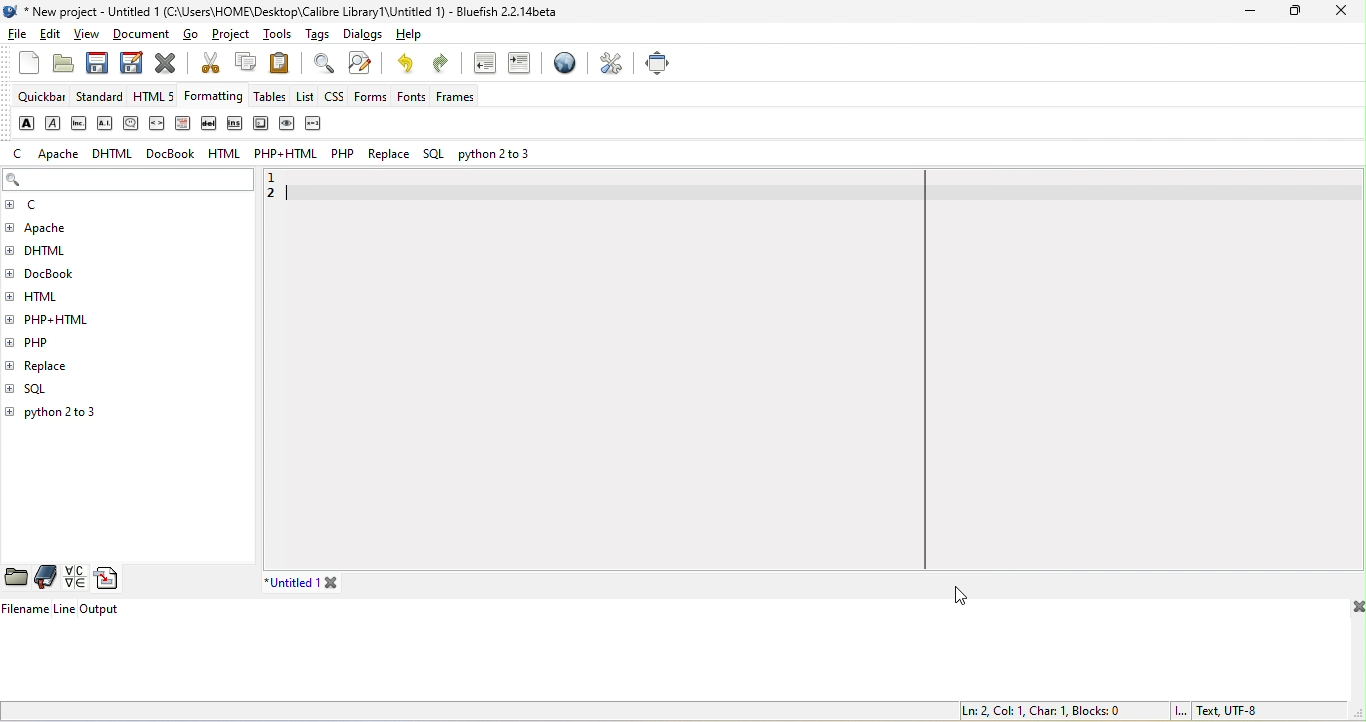 The width and height of the screenshot is (1366, 722). I want to click on charmap, so click(74, 578).